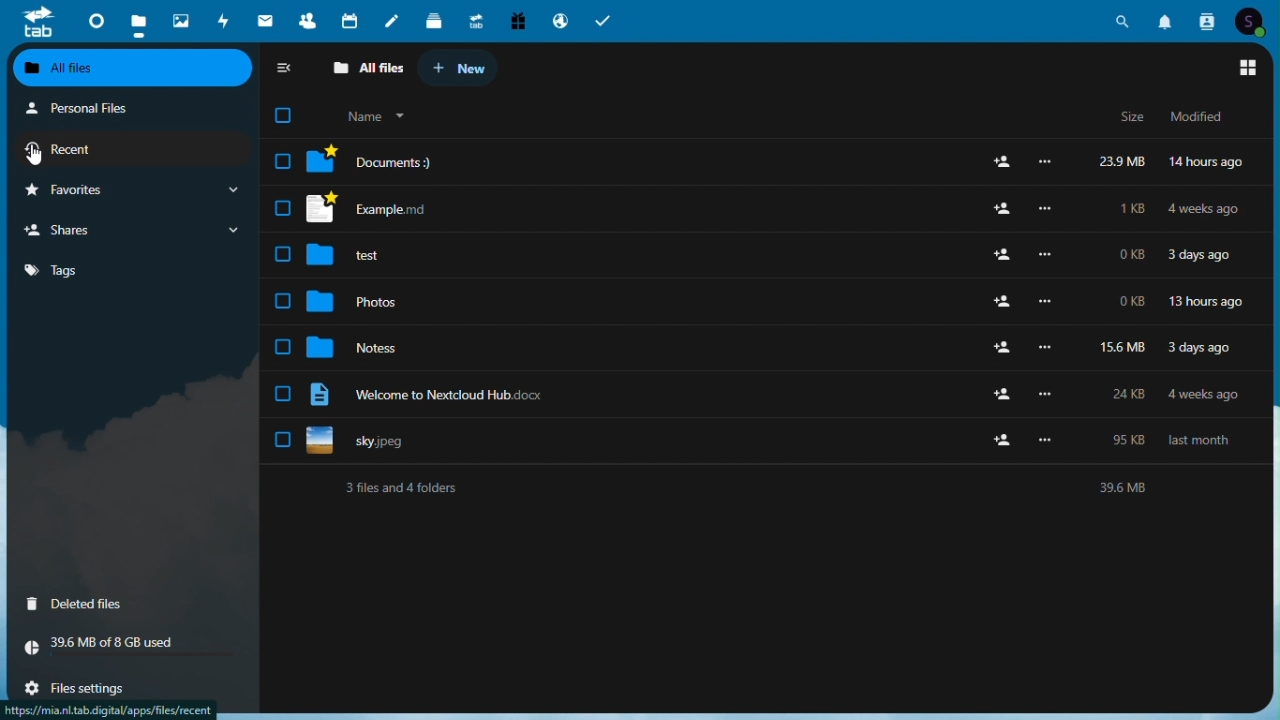 Image resolution: width=1280 pixels, height=720 pixels. I want to click on tasks, so click(605, 21).